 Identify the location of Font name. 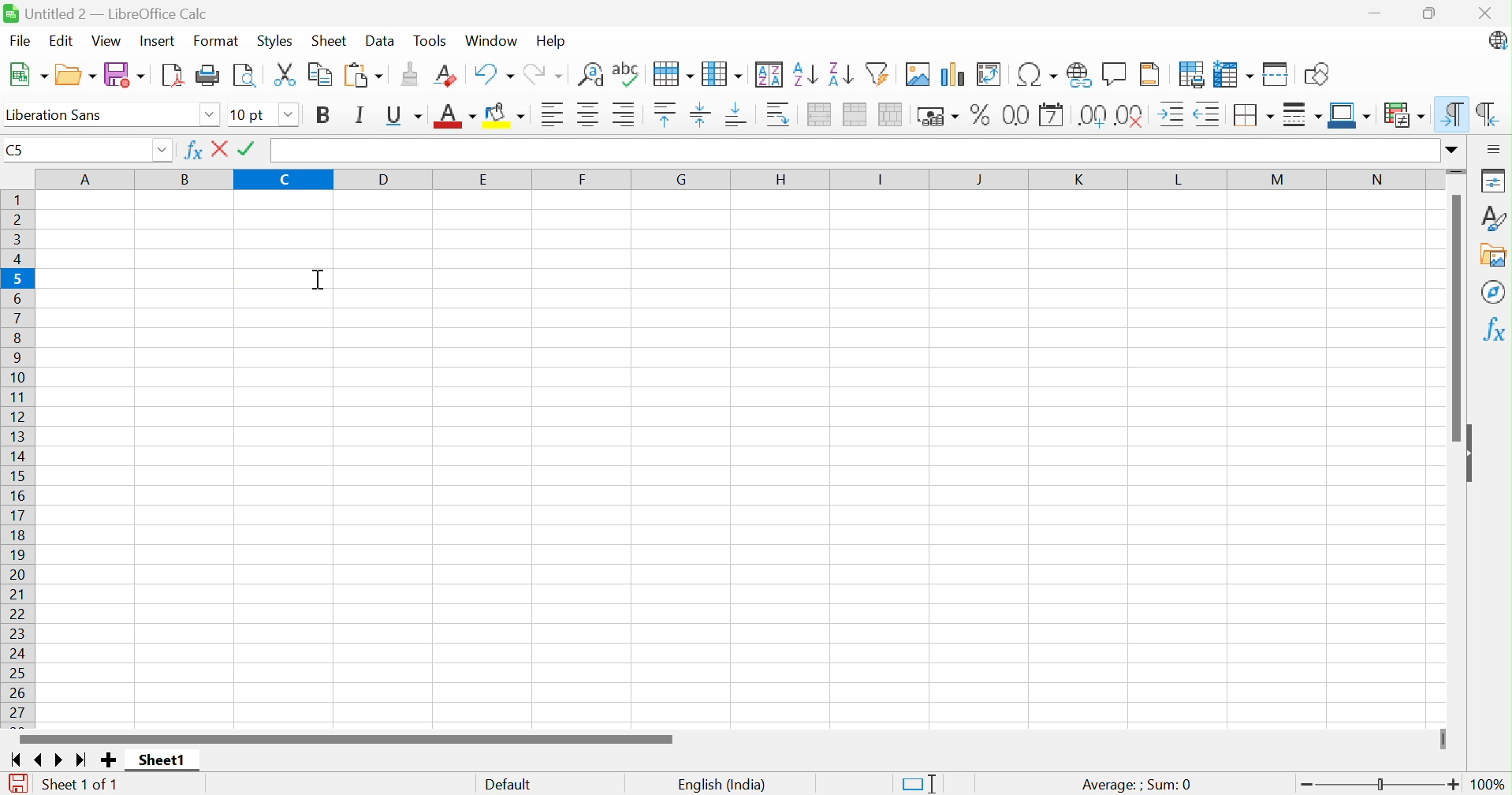
(101, 117).